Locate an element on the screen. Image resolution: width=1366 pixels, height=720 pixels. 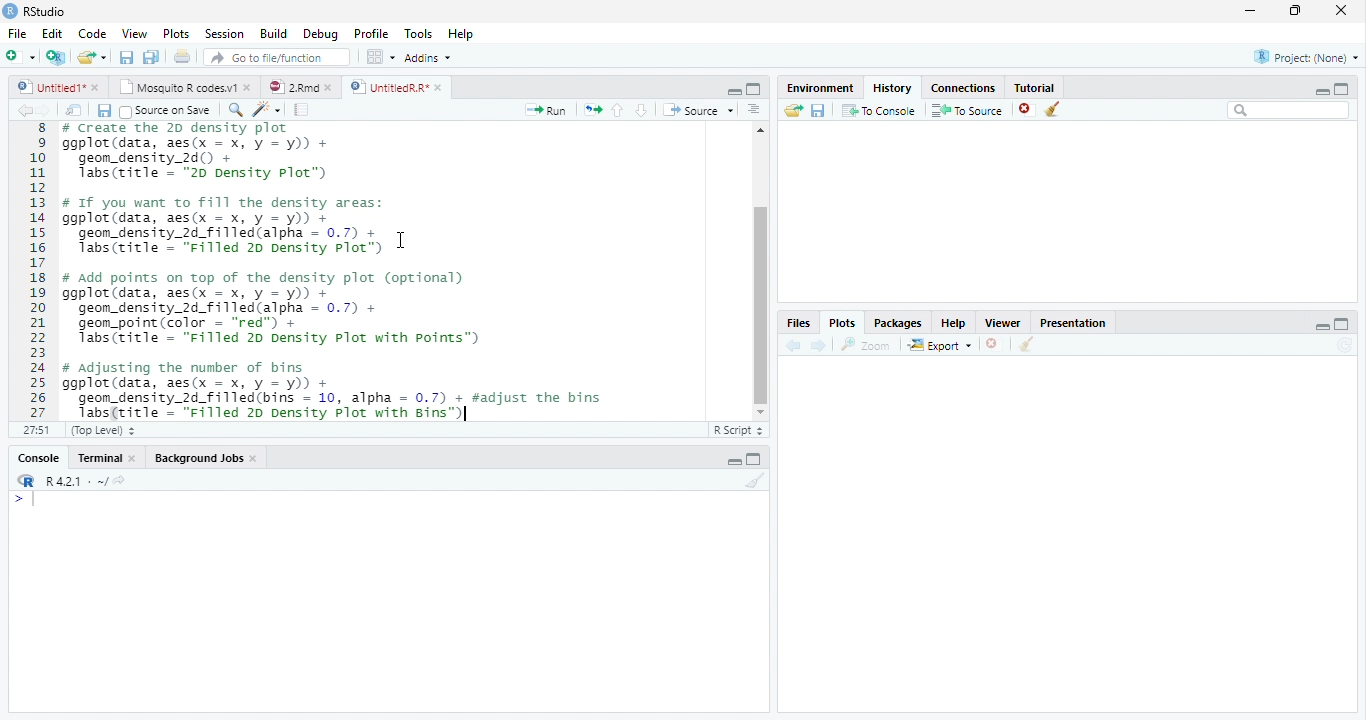
Run is located at coordinates (543, 111).